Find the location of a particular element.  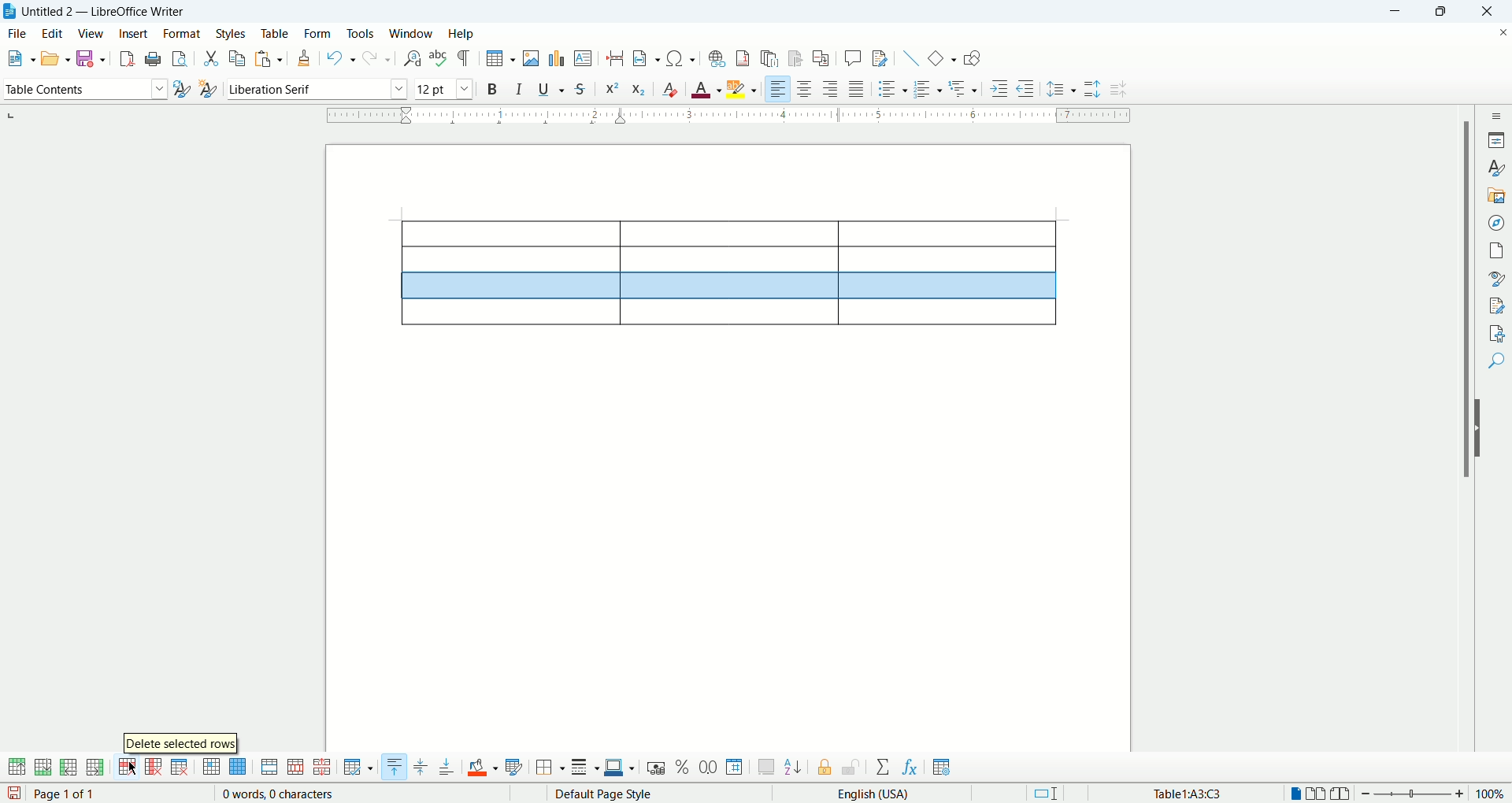

zoom factor is located at coordinates (1436, 794).